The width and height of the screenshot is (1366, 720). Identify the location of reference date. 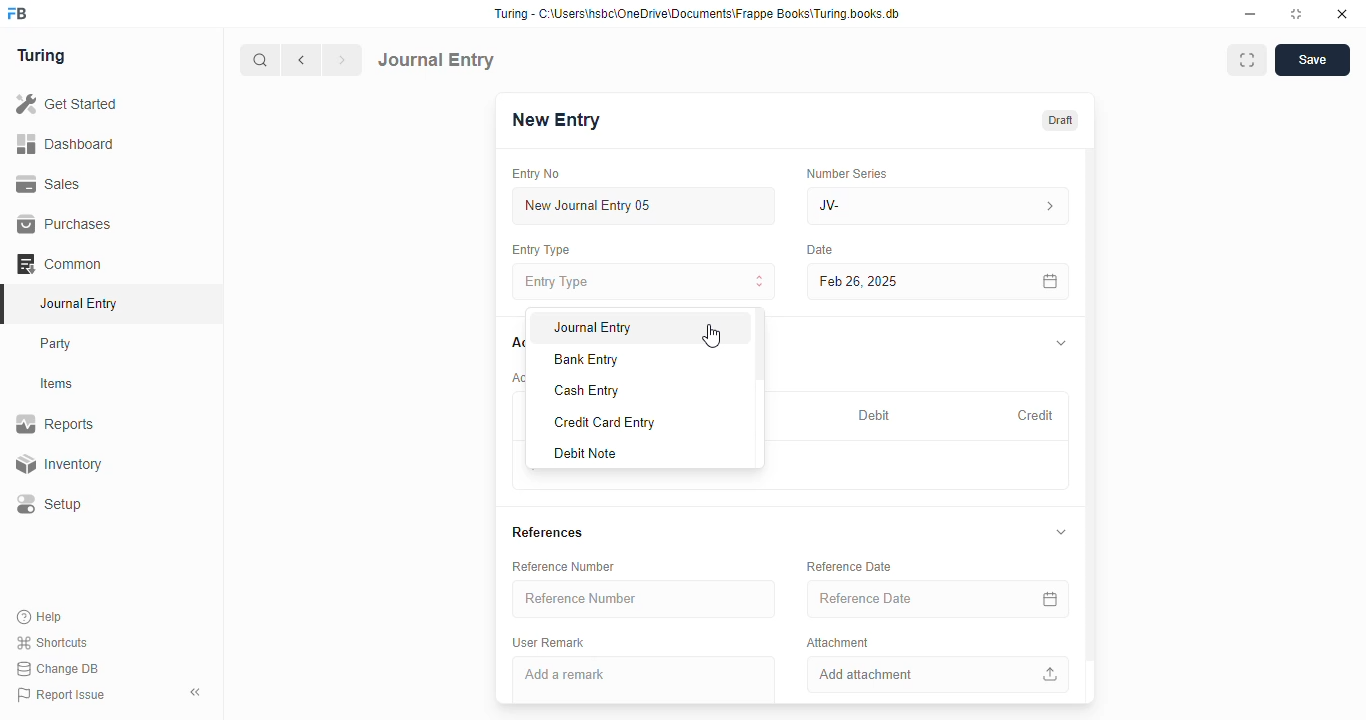
(850, 566).